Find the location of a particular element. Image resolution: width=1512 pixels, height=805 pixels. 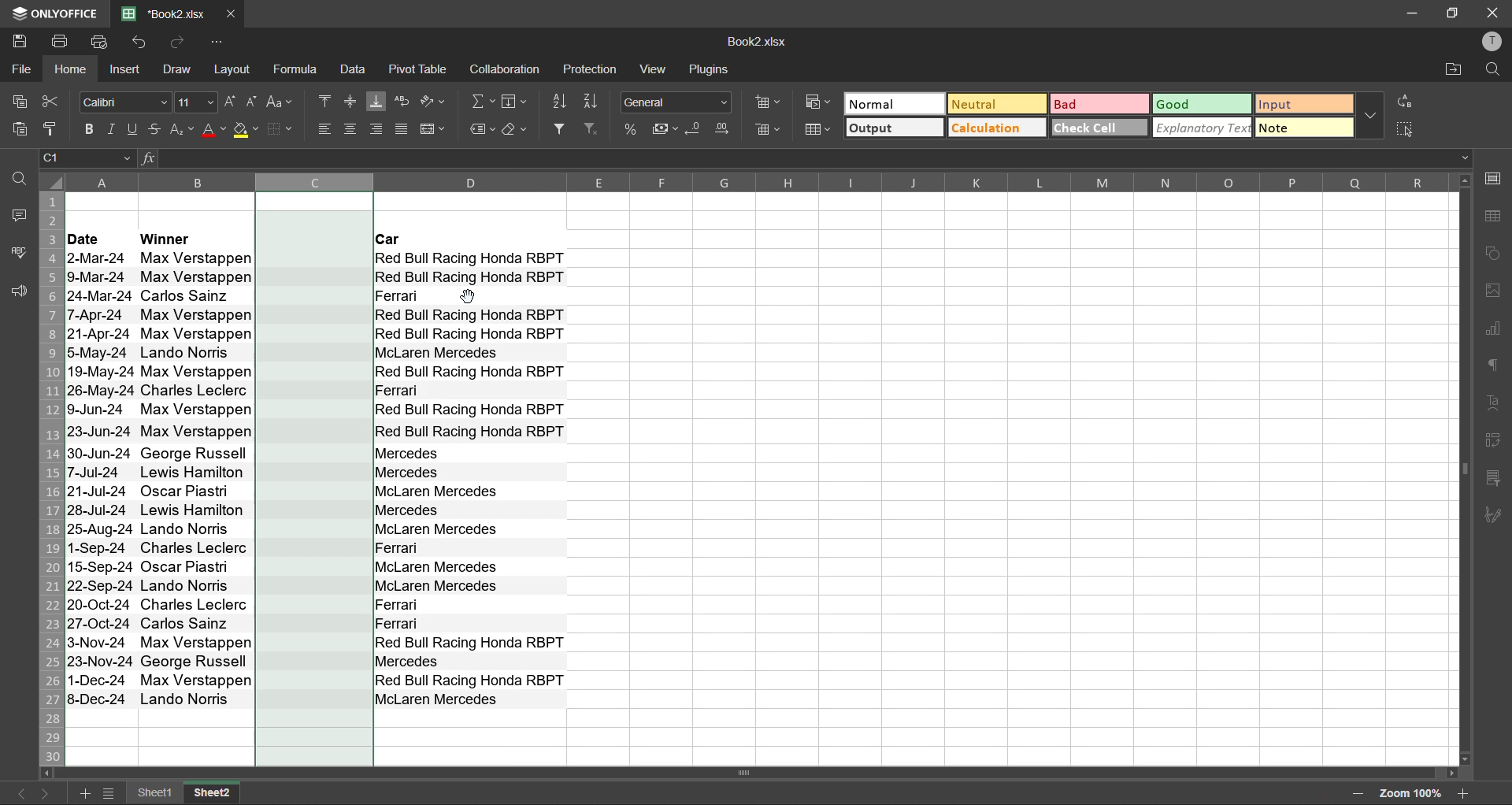

output is located at coordinates (893, 129).